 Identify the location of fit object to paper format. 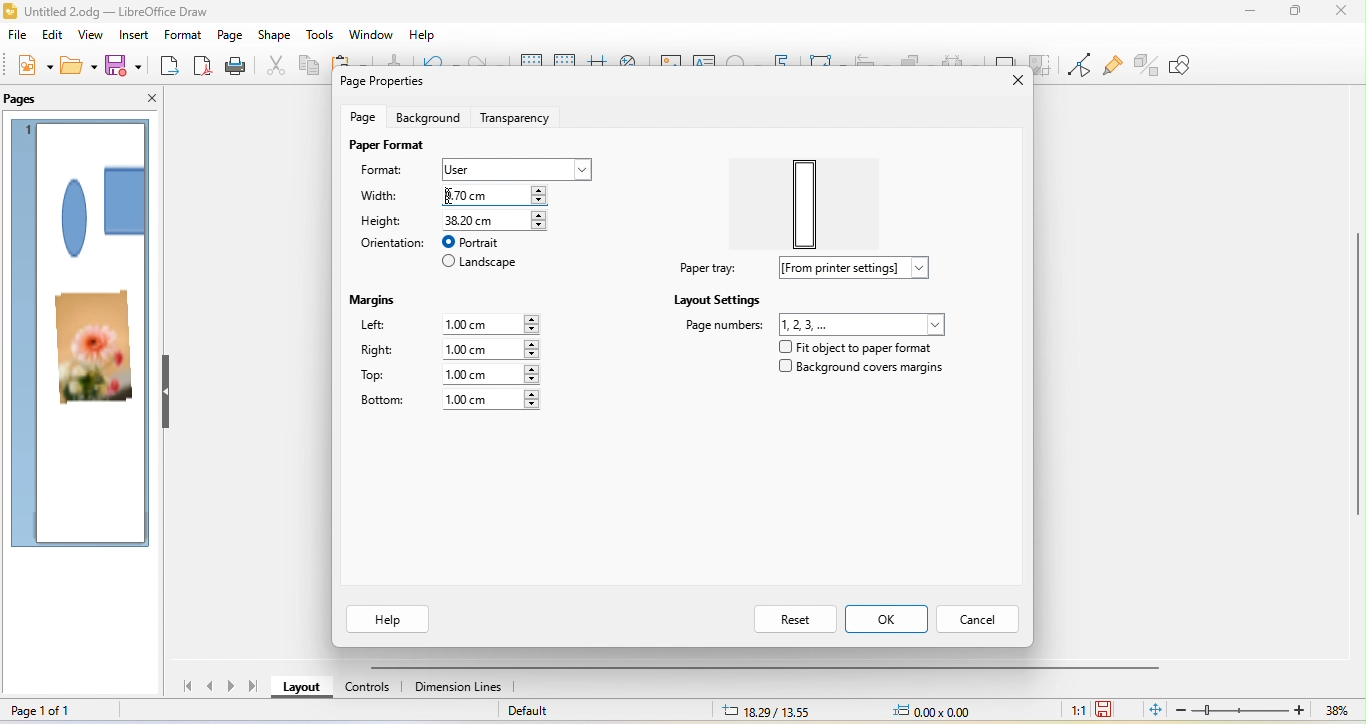
(867, 345).